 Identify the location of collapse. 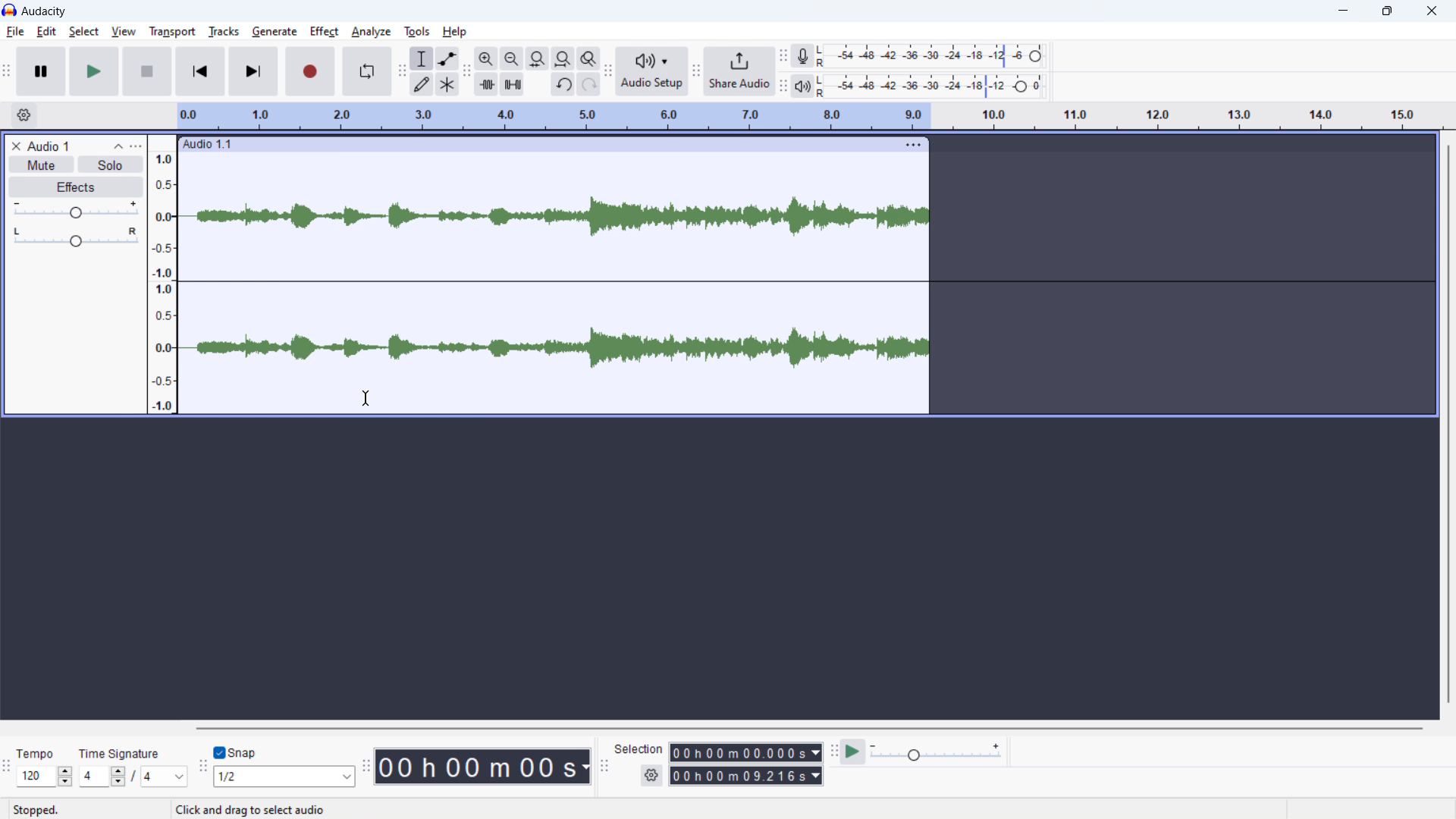
(118, 146).